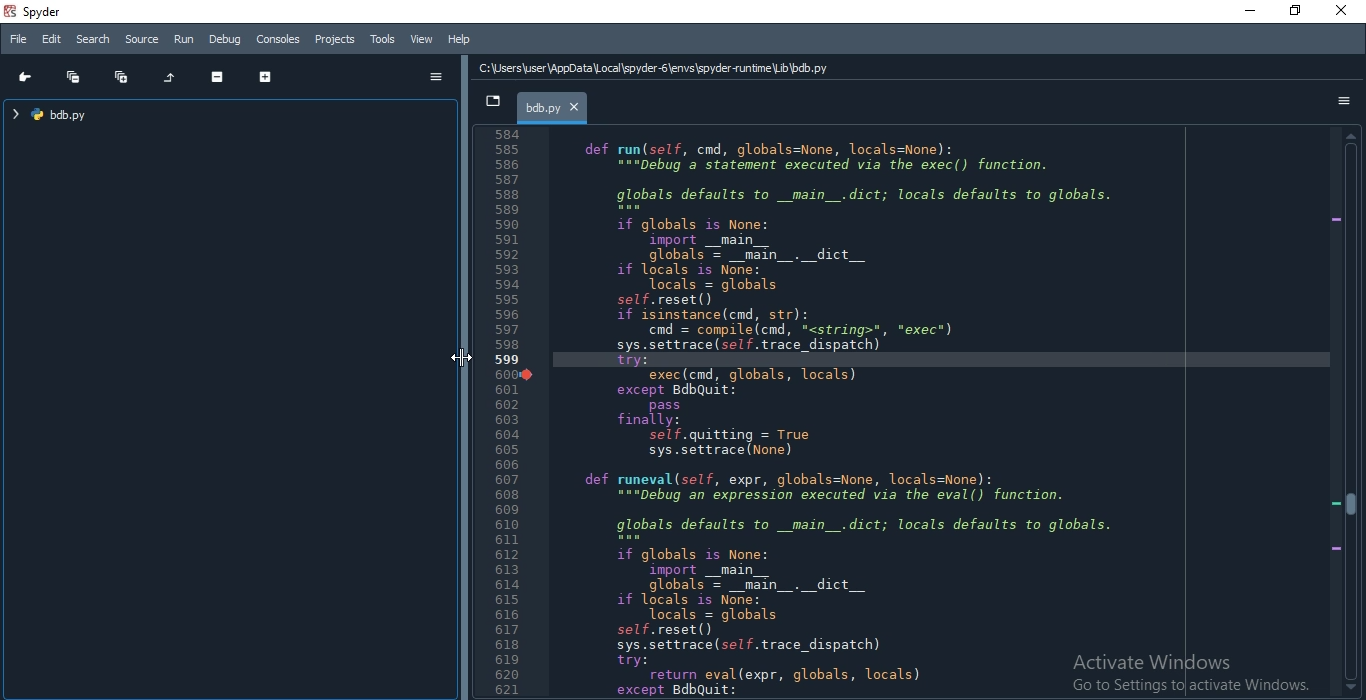  What do you see at coordinates (420, 40) in the screenshot?
I see `View` at bounding box center [420, 40].